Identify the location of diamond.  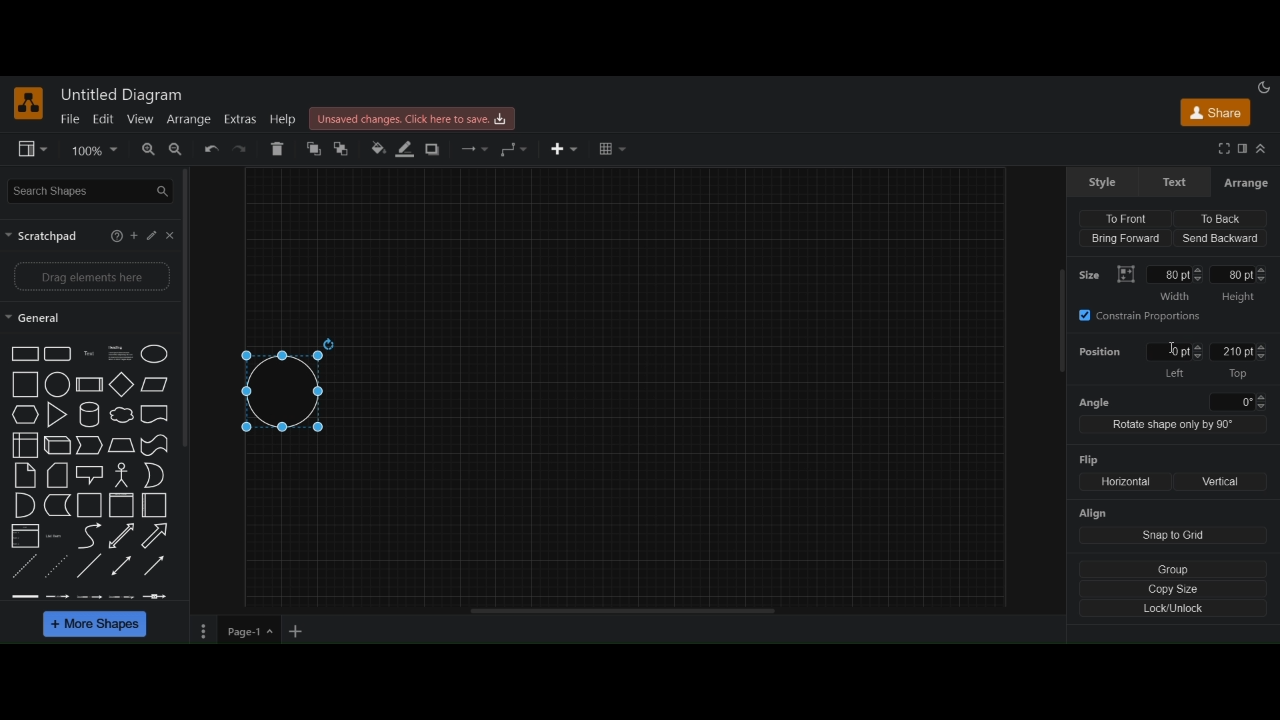
(123, 386).